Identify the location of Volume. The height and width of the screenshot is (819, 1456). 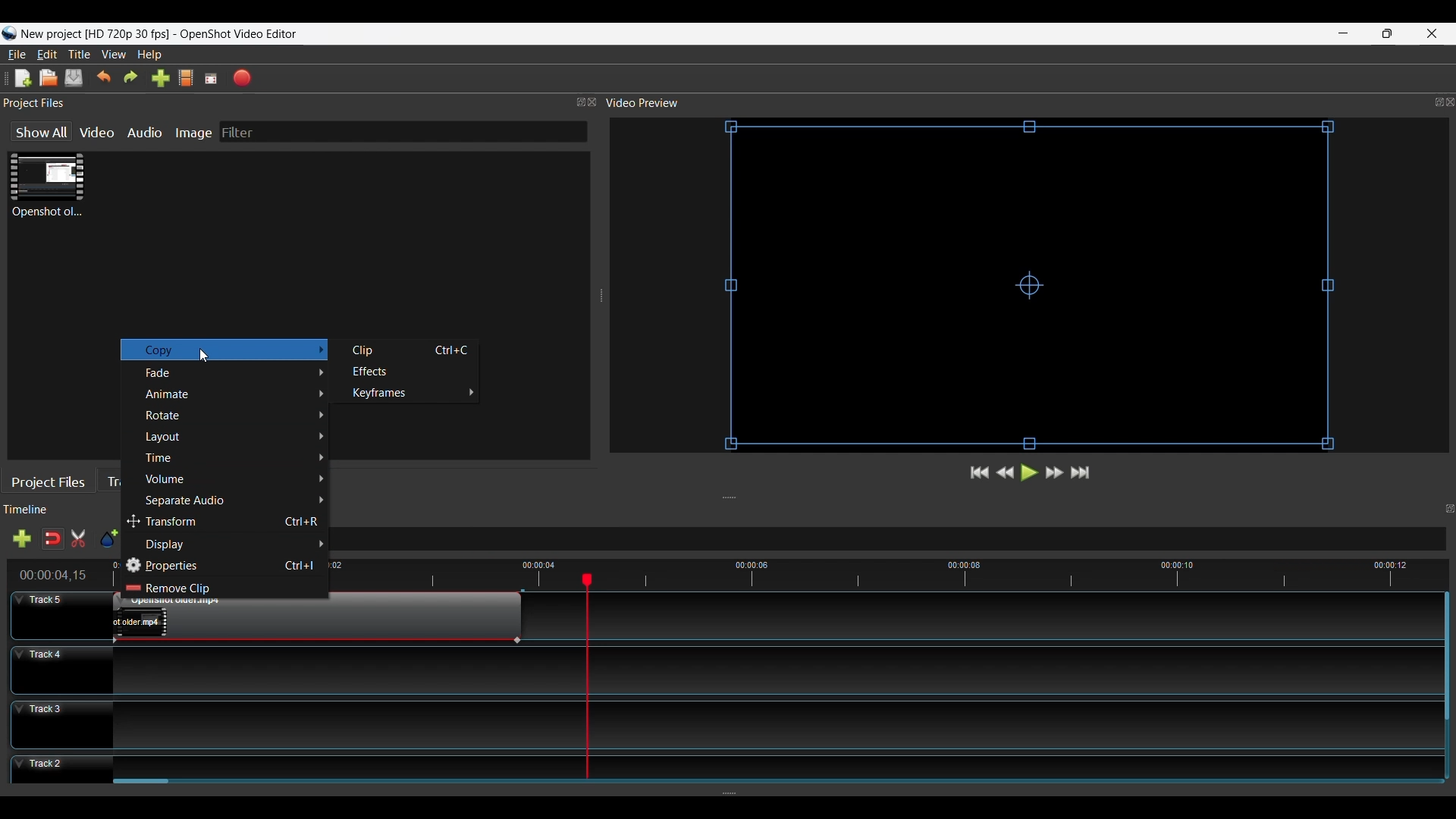
(235, 479).